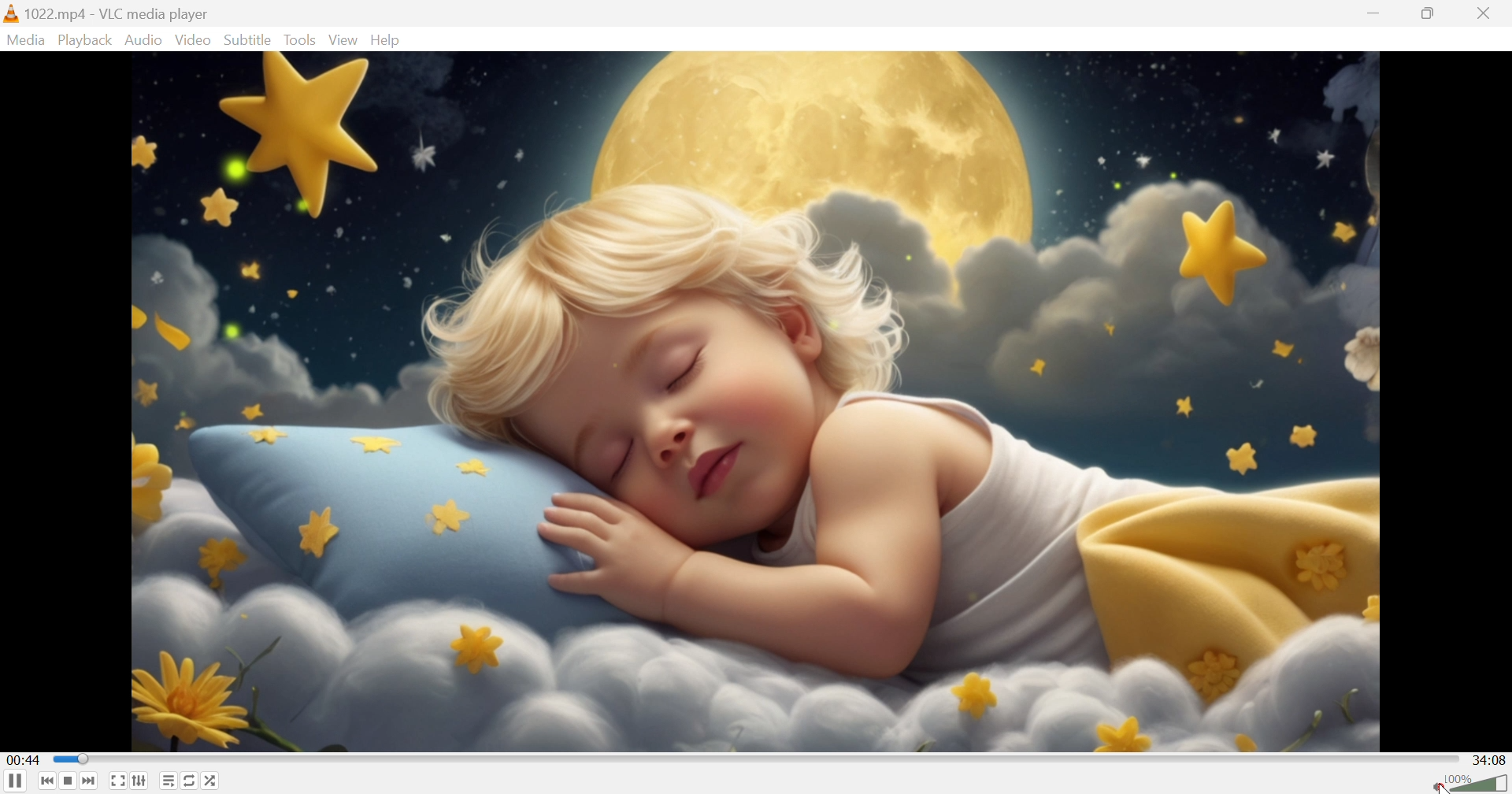  What do you see at coordinates (388, 39) in the screenshot?
I see `Help` at bounding box center [388, 39].